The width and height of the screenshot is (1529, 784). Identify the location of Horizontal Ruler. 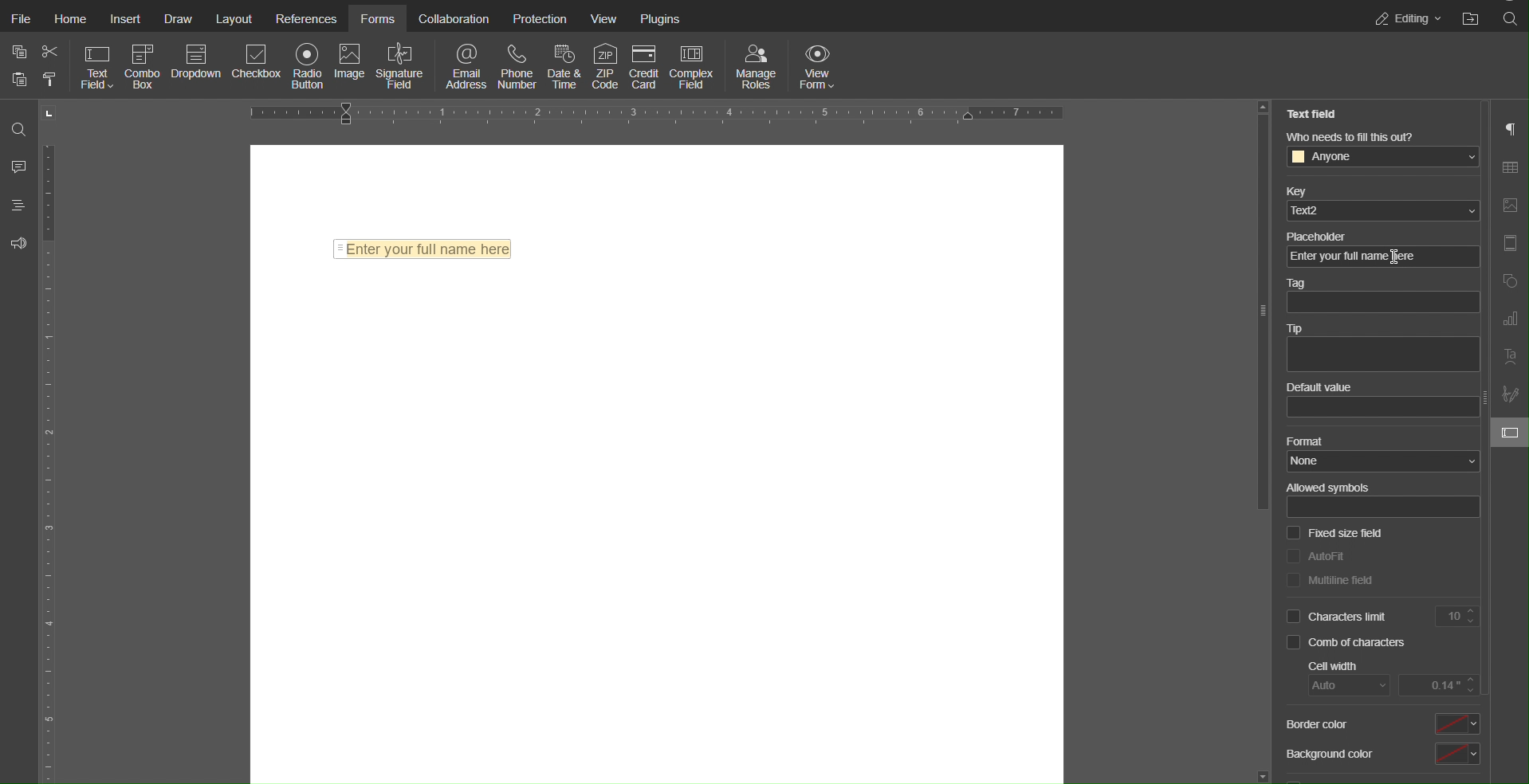
(657, 115).